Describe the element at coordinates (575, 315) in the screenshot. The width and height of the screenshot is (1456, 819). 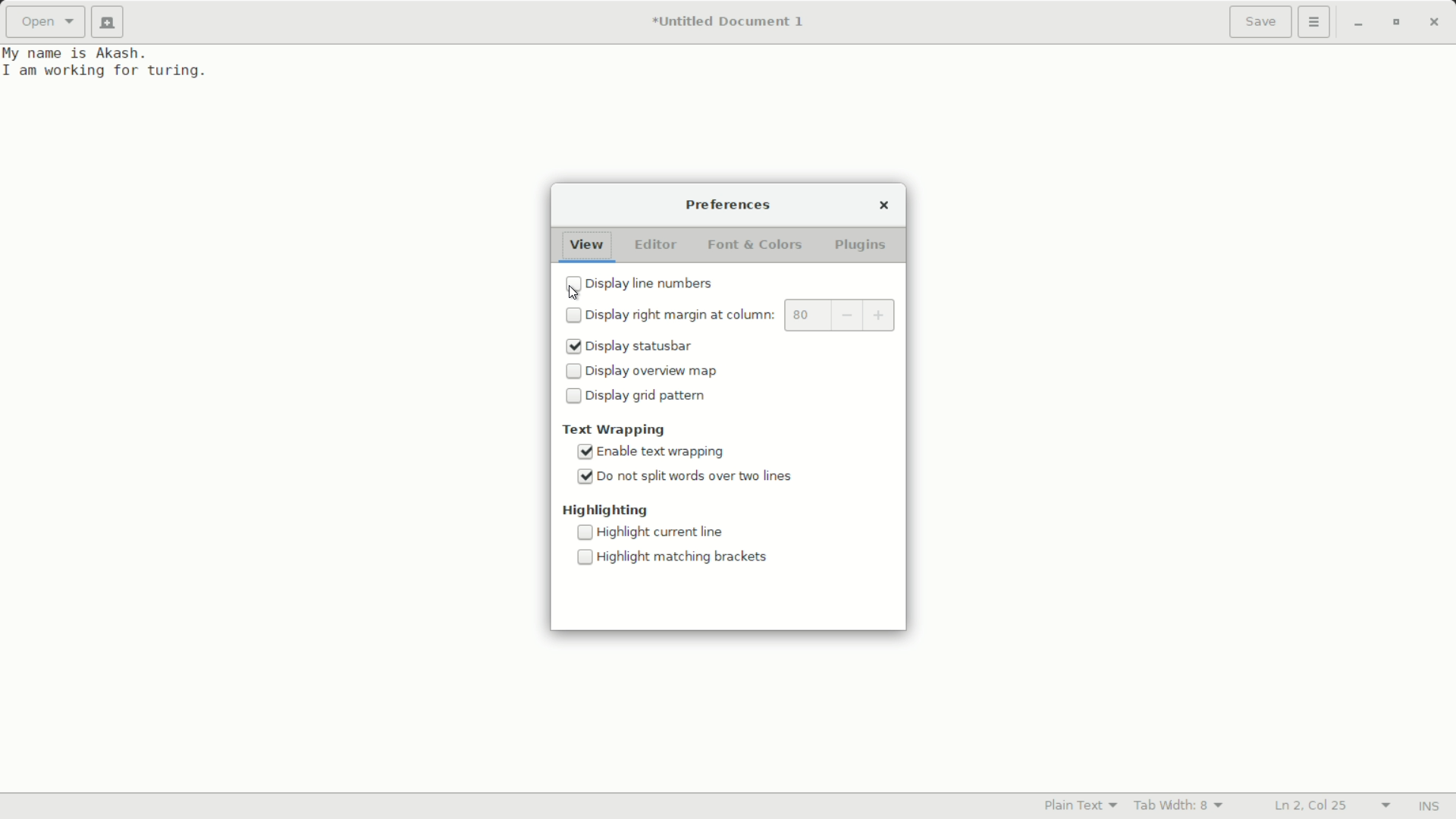
I see `checkbox` at that location.